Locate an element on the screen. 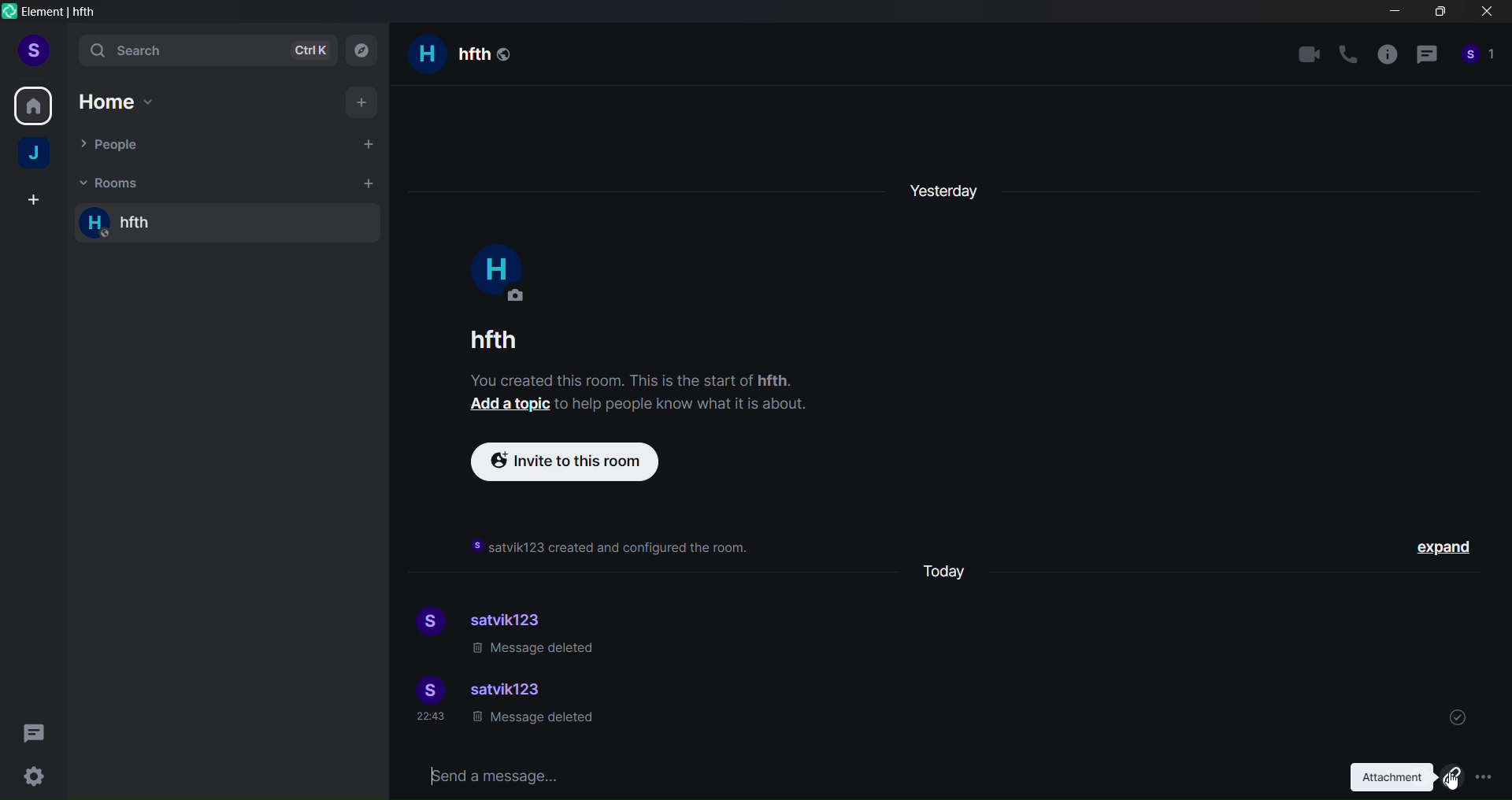 This screenshot has height=800, width=1512. call is located at coordinates (1348, 55).